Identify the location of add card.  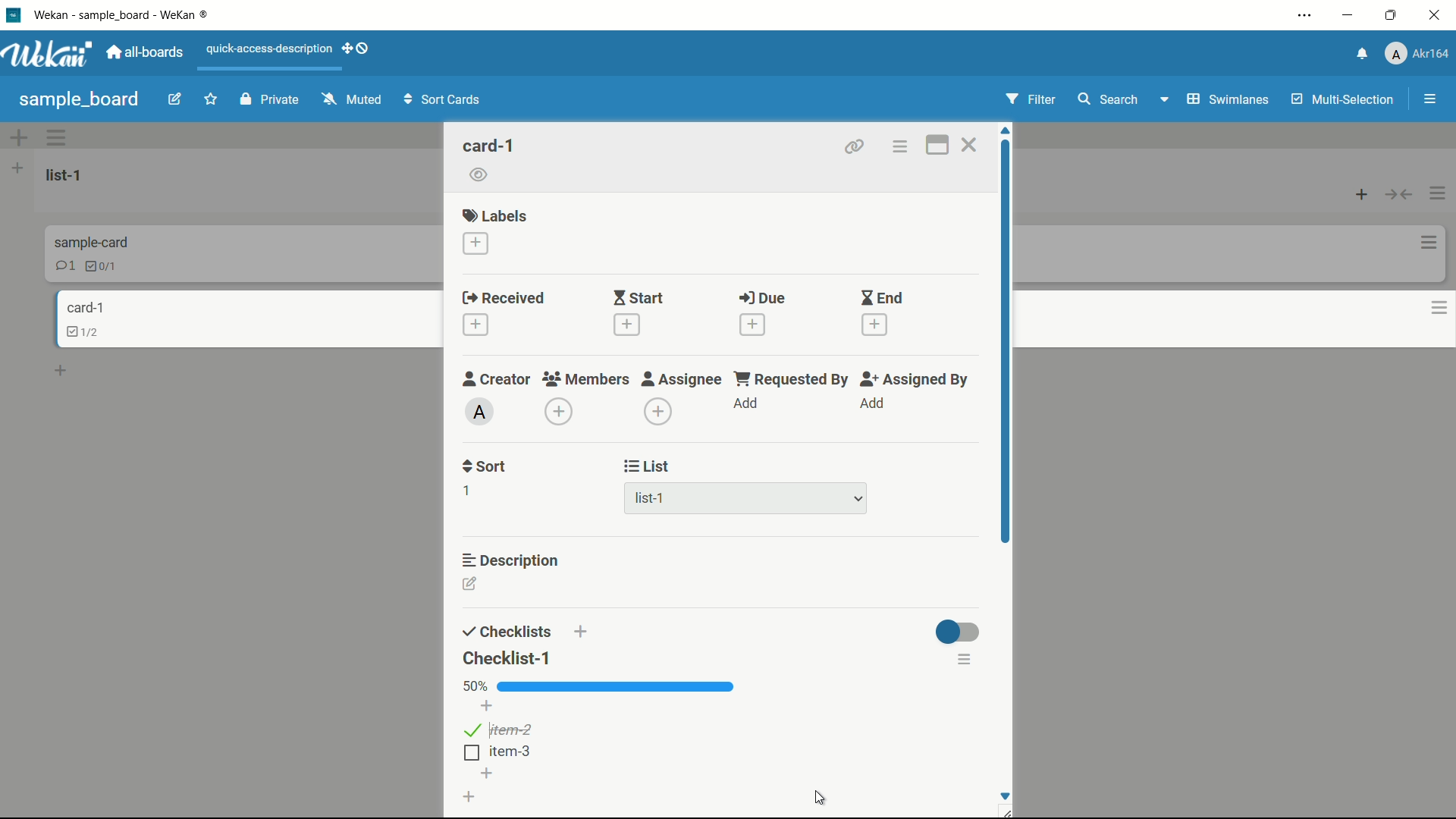
(61, 371).